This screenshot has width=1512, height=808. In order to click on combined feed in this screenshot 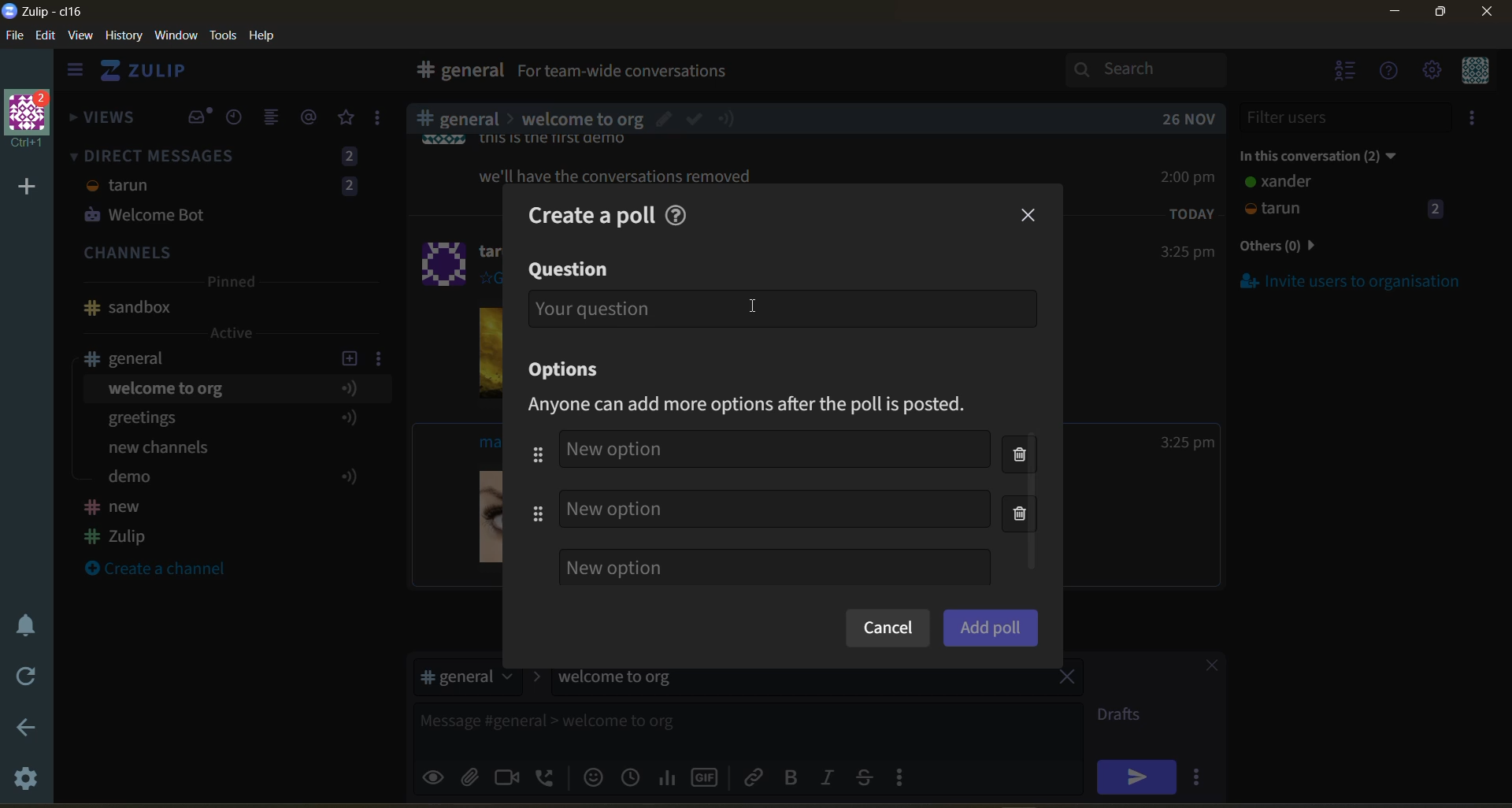, I will do `click(278, 120)`.